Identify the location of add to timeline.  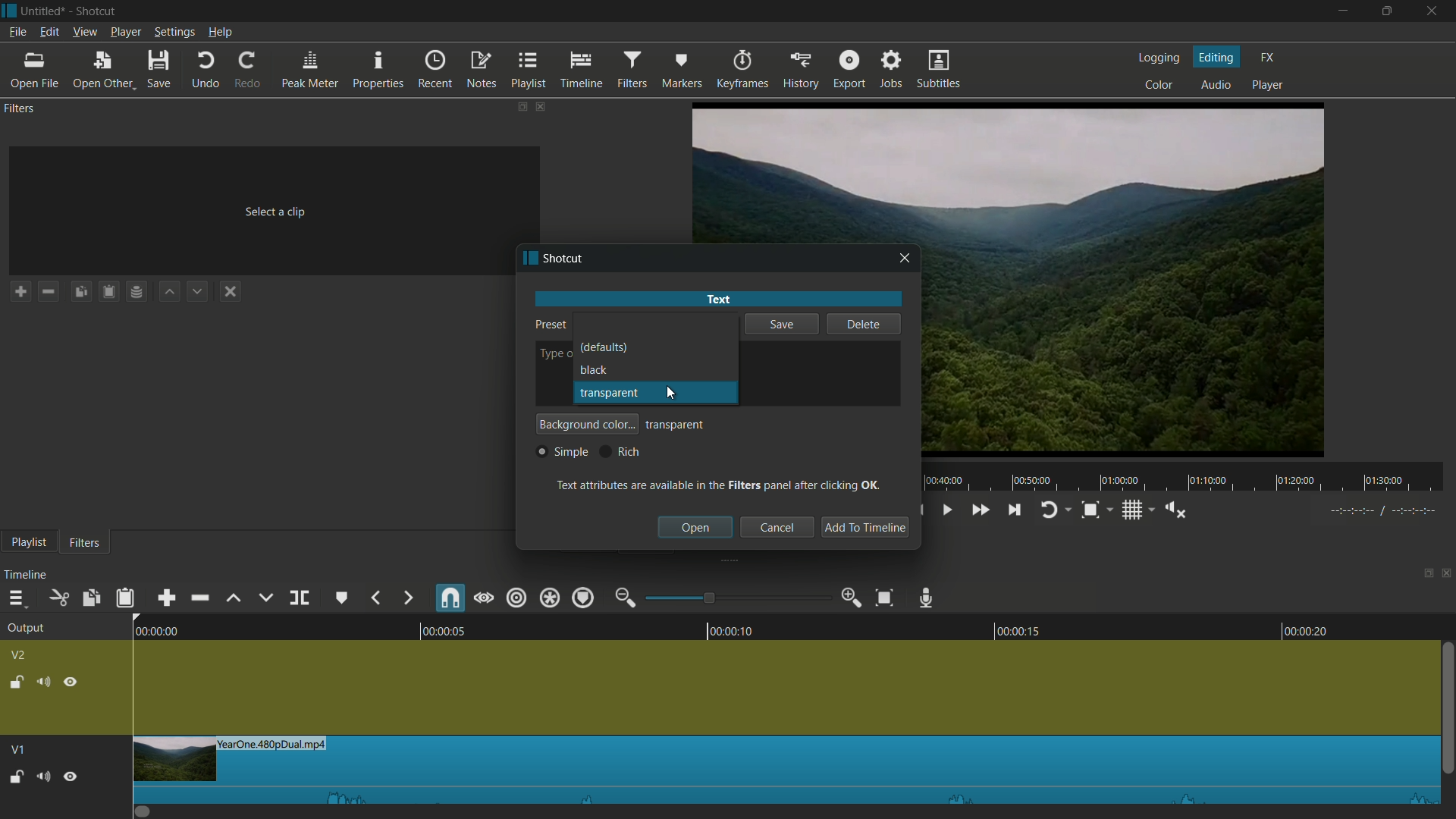
(864, 528).